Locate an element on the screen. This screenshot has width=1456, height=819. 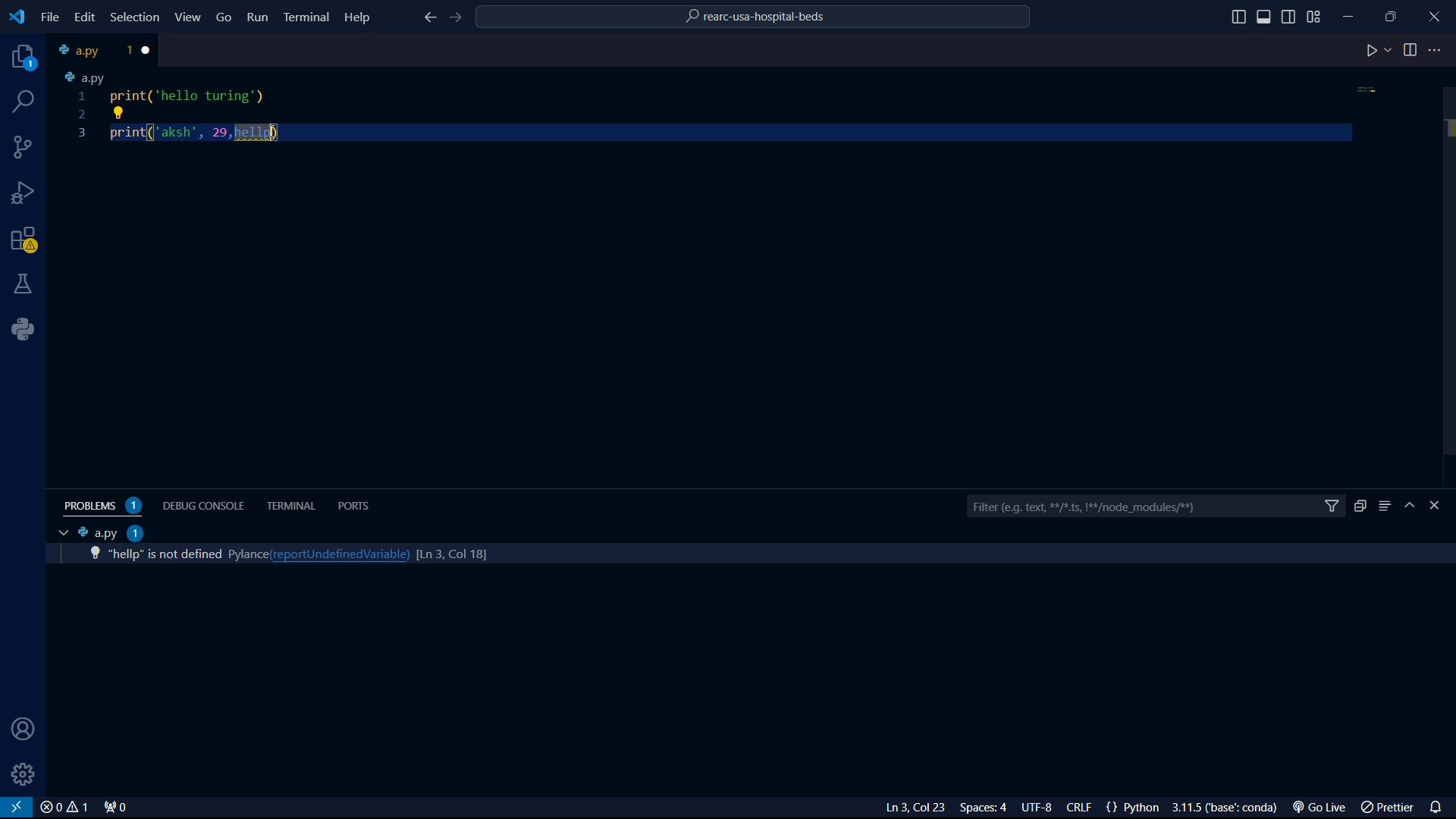
filter bar is located at coordinates (1155, 507).